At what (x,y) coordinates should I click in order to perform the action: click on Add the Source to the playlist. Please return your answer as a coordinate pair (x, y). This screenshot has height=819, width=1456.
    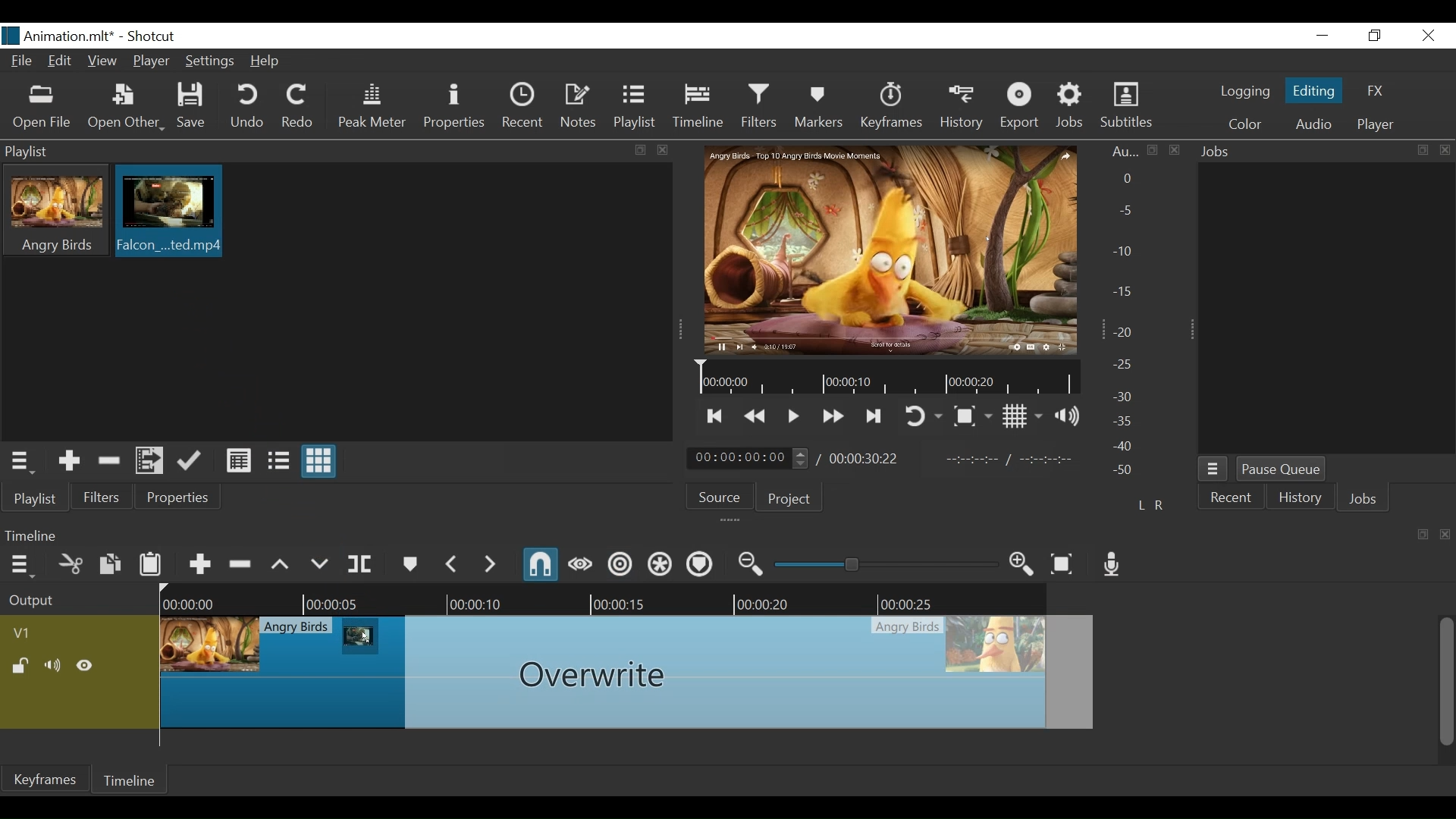
    Looking at the image, I should click on (67, 460).